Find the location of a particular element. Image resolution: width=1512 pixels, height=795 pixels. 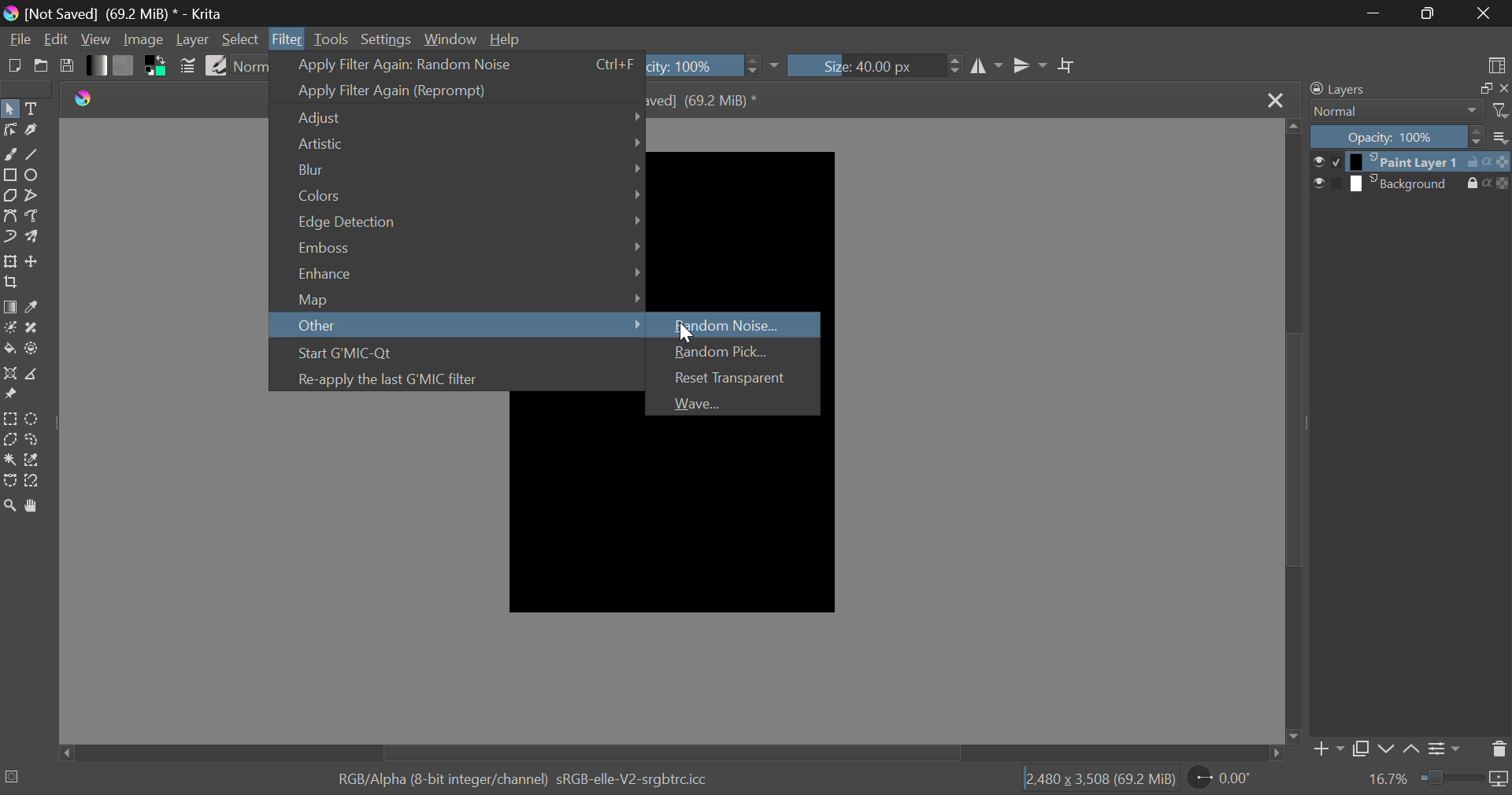

Colorize Mask Tool is located at coordinates (11, 329).